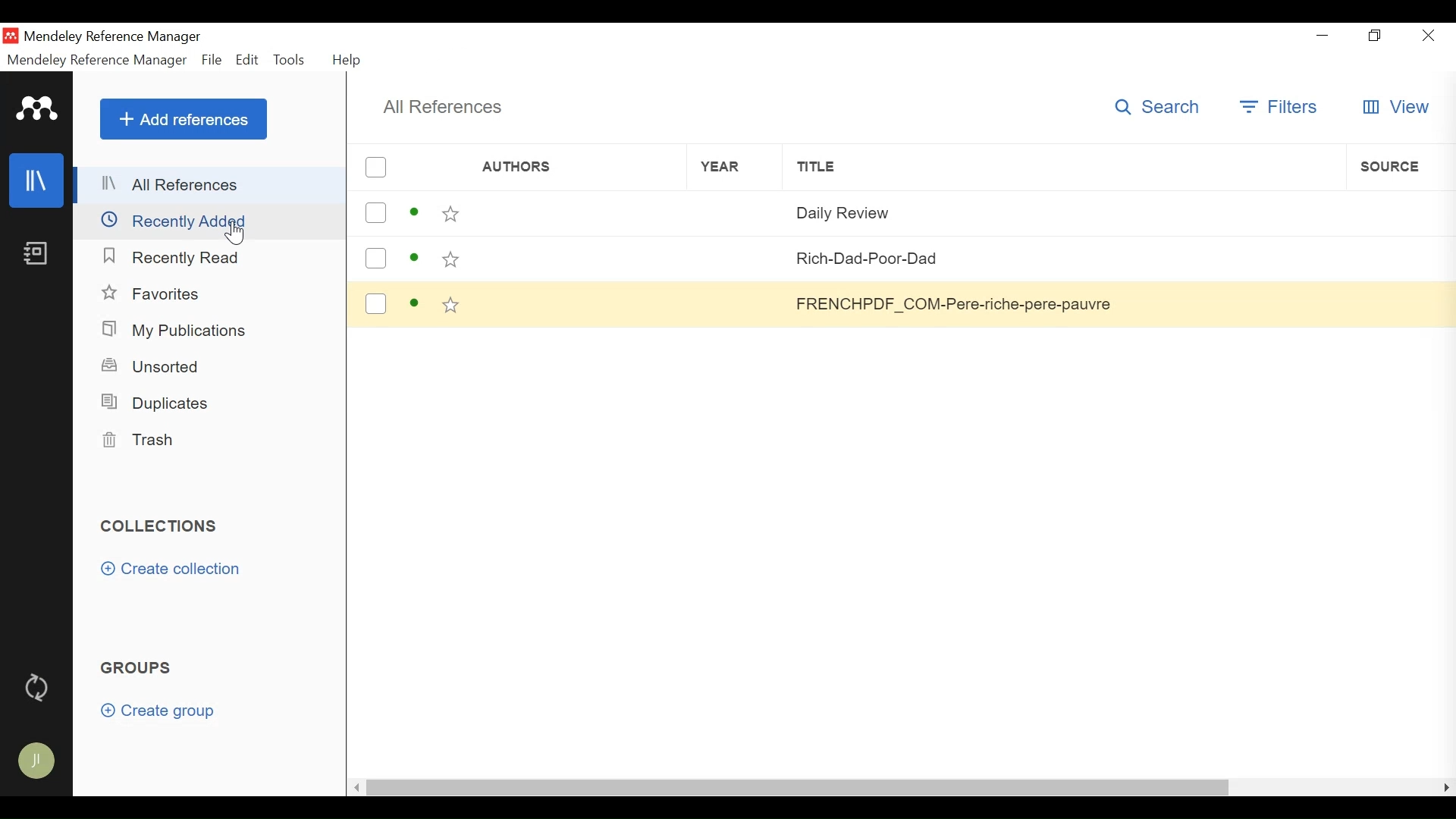 The height and width of the screenshot is (819, 1456). I want to click on Edit, so click(247, 60).